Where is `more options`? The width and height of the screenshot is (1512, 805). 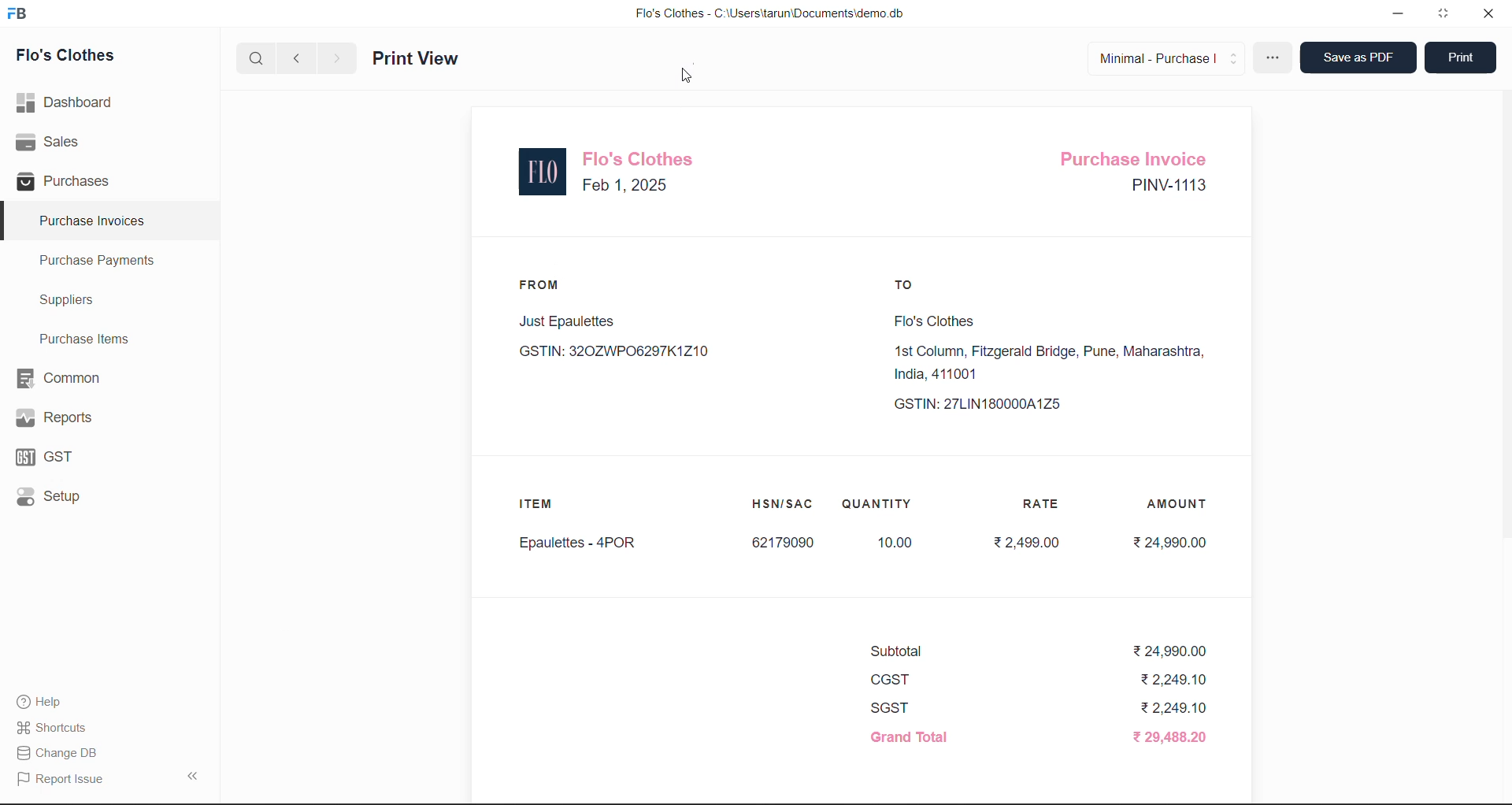
more options is located at coordinates (1276, 60).